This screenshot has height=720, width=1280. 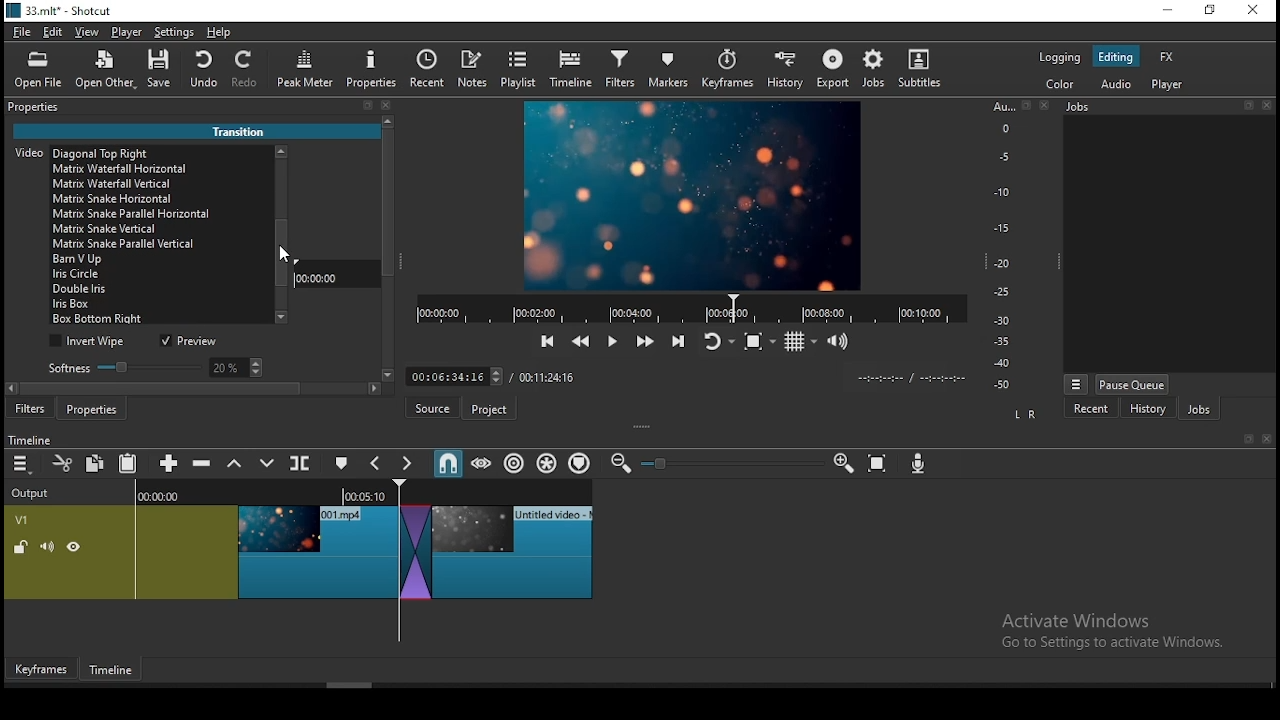 What do you see at coordinates (40, 106) in the screenshot?
I see `properties` at bounding box center [40, 106].